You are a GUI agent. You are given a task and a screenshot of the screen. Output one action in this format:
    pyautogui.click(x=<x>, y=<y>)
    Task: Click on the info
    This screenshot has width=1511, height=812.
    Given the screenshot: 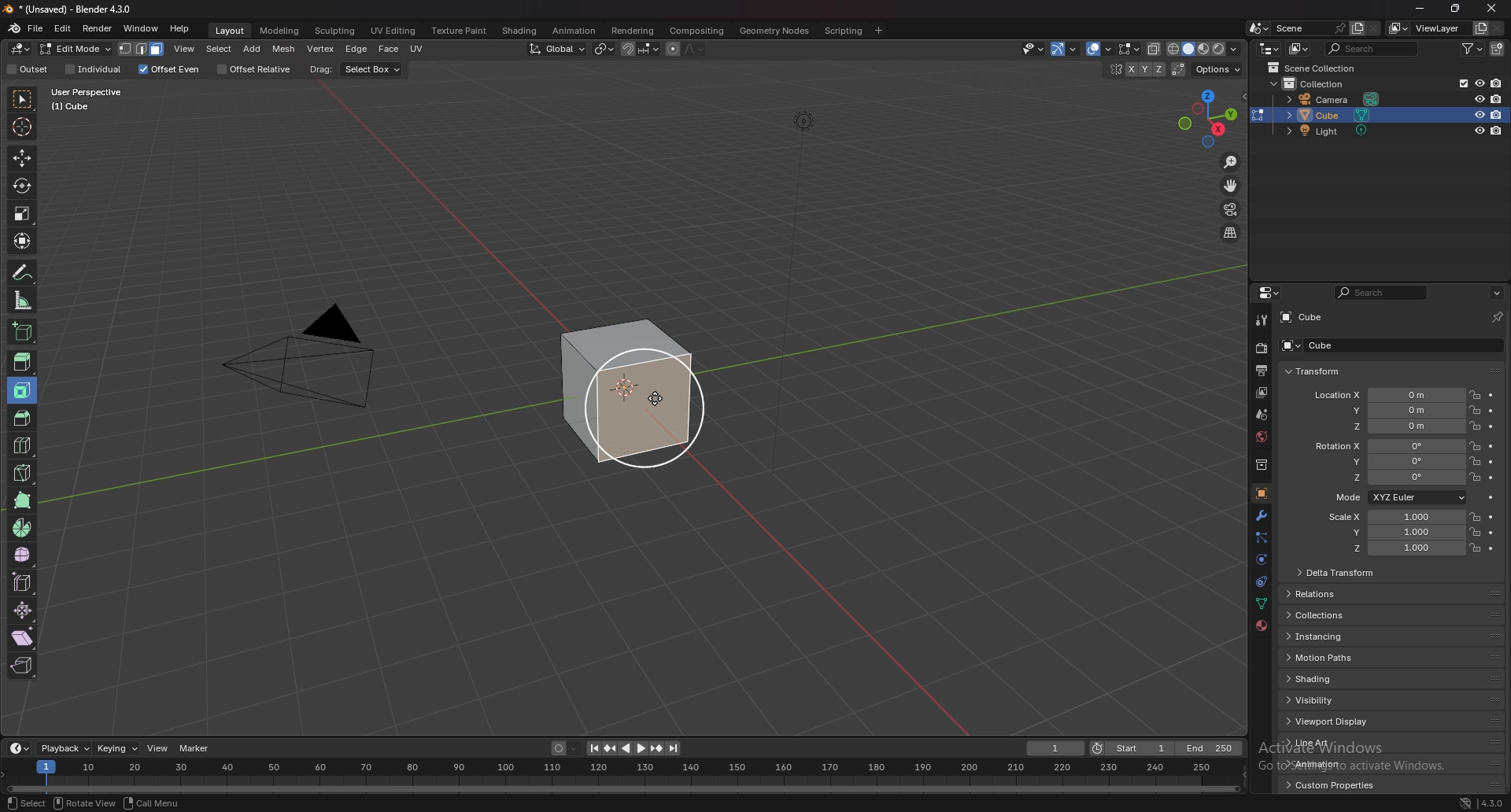 What is the action you would take?
    pyautogui.click(x=99, y=98)
    